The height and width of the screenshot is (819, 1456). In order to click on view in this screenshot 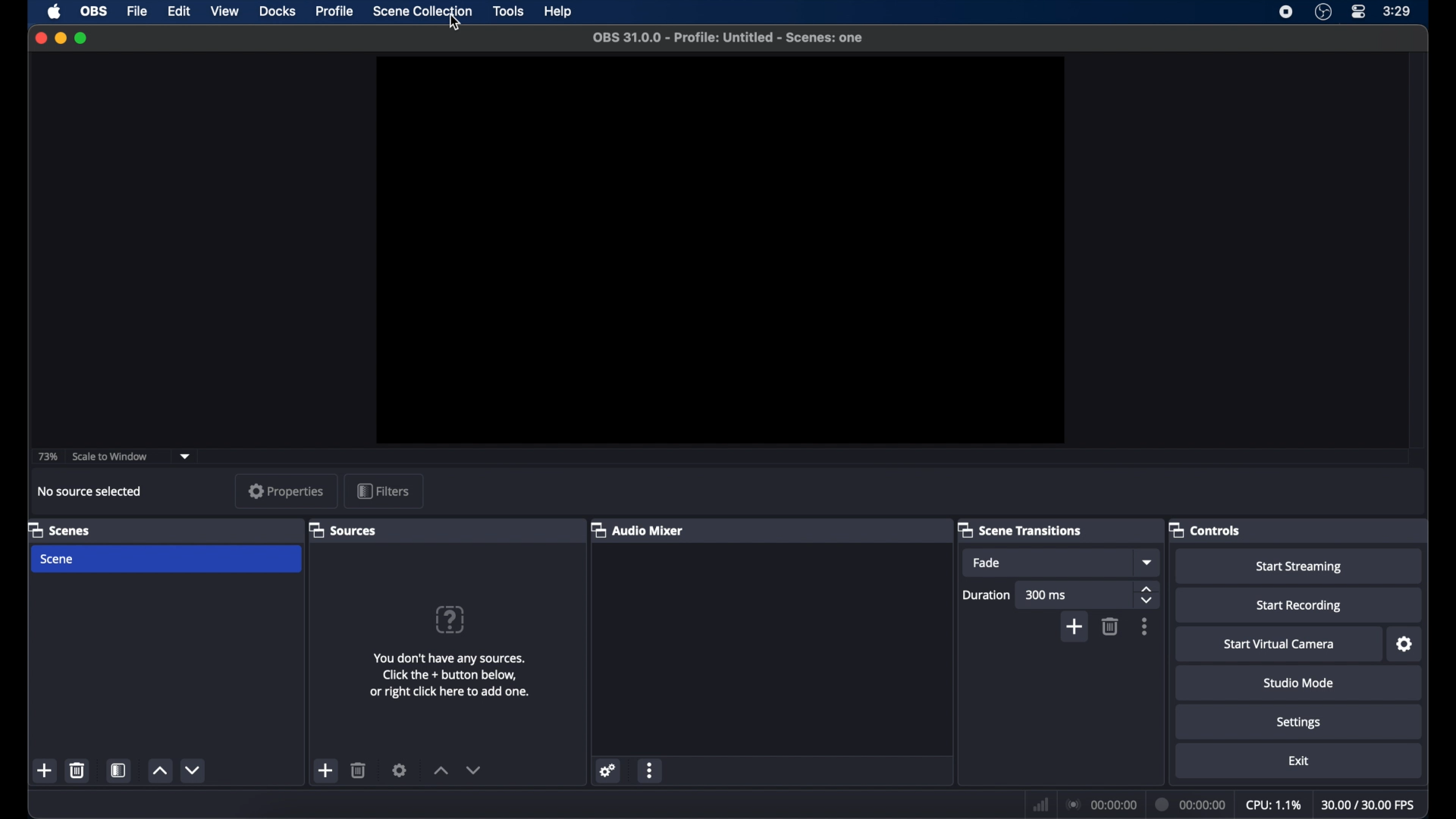, I will do `click(224, 11)`.